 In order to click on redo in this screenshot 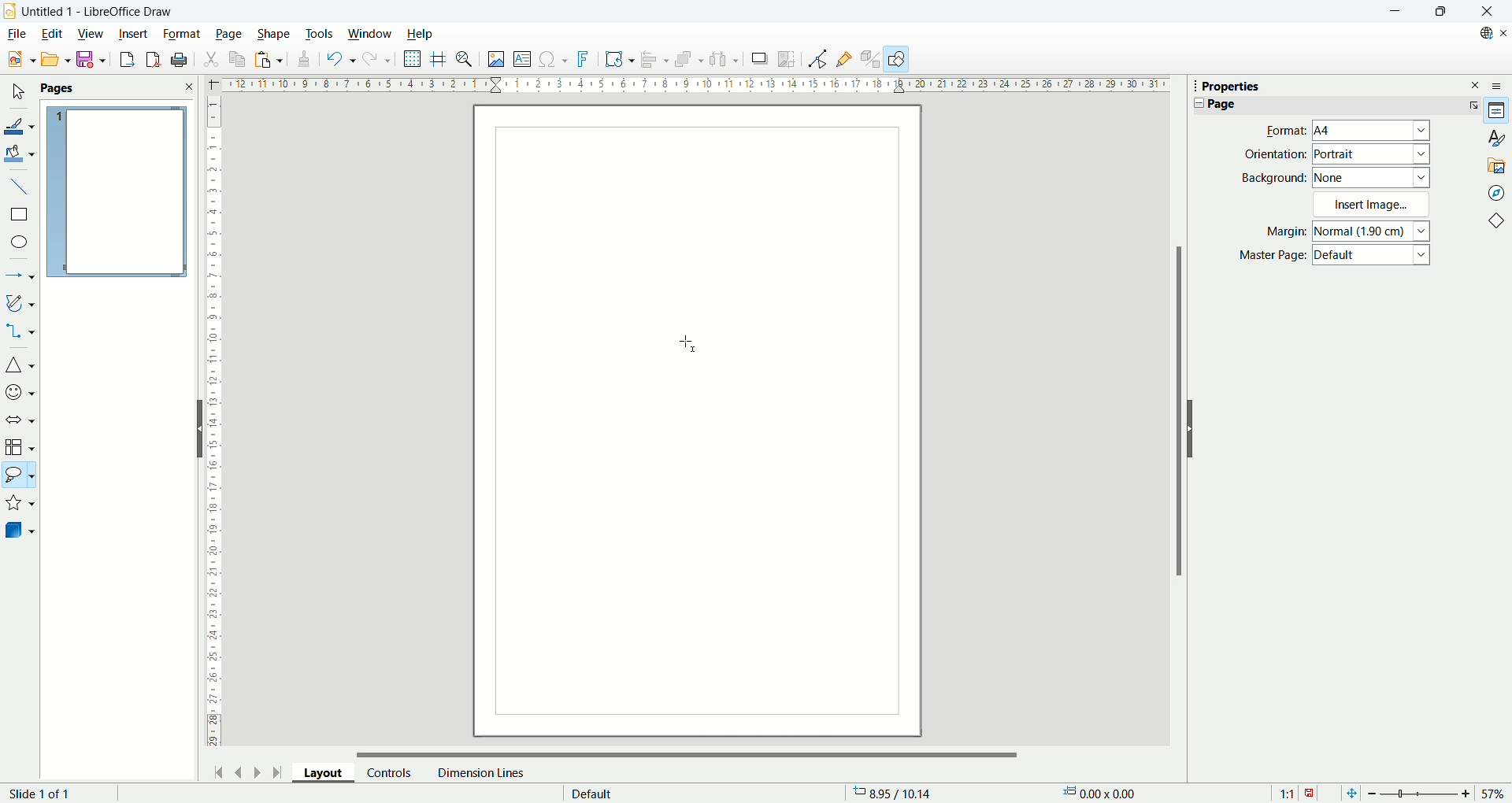, I will do `click(378, 62)`.